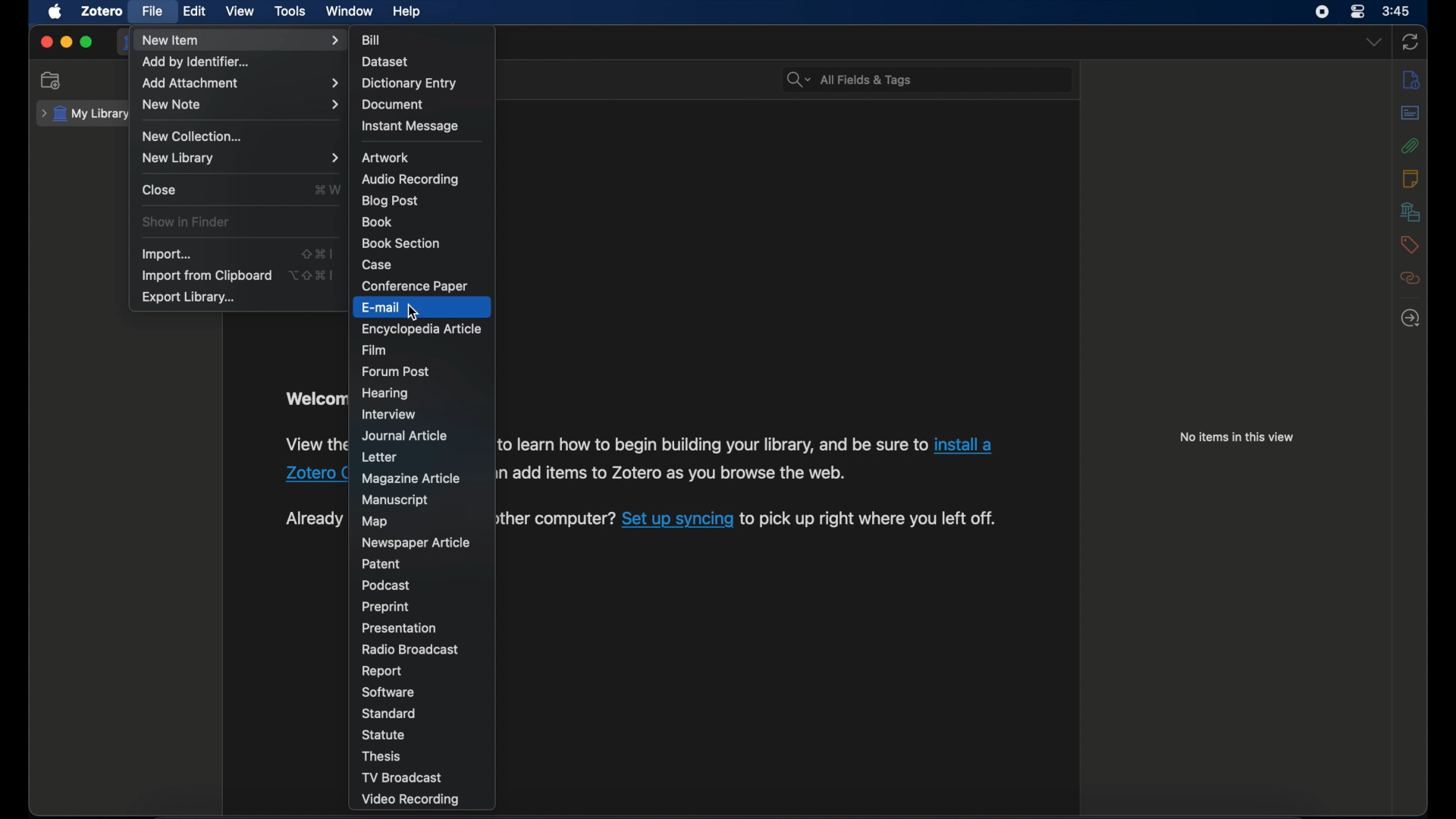 The height and width of the screenshot is (819, 1456). Describe the element at coordinates (397, 372) in the screenshot. I see `forum post` at that location.